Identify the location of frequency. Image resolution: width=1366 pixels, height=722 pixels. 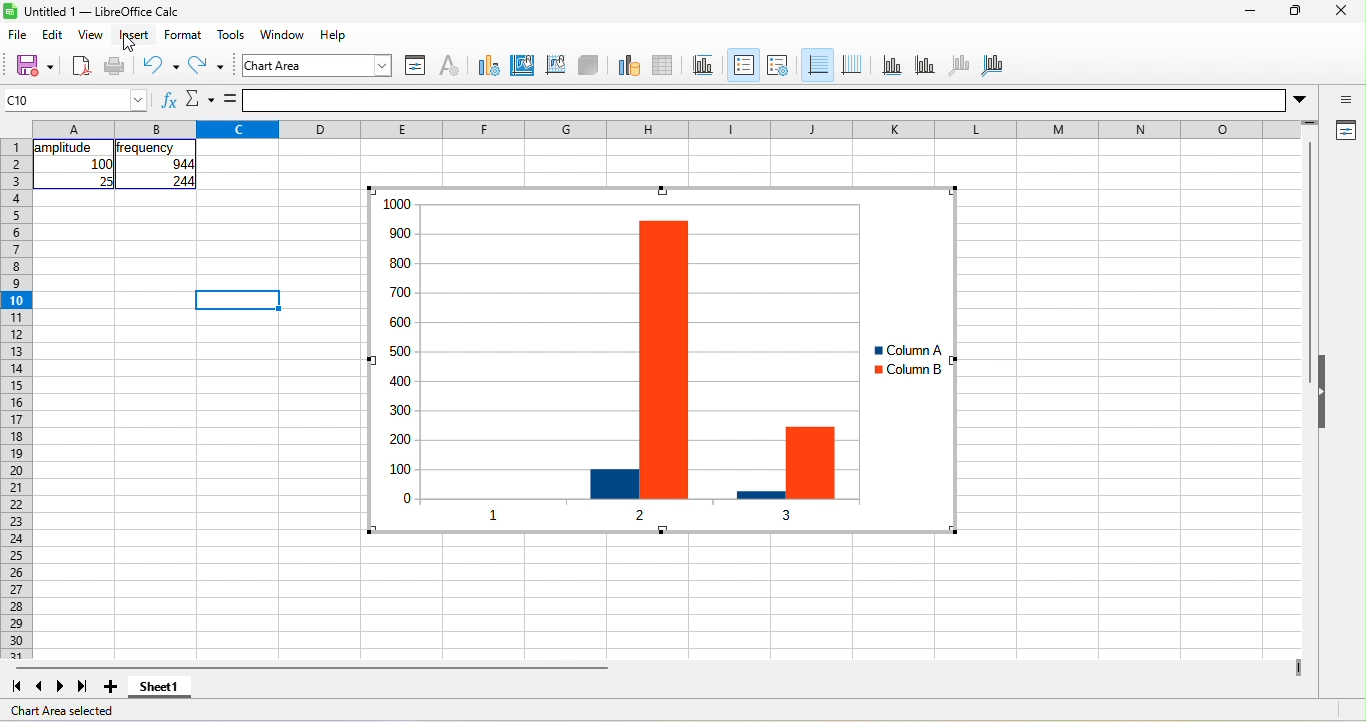
(147, 148).